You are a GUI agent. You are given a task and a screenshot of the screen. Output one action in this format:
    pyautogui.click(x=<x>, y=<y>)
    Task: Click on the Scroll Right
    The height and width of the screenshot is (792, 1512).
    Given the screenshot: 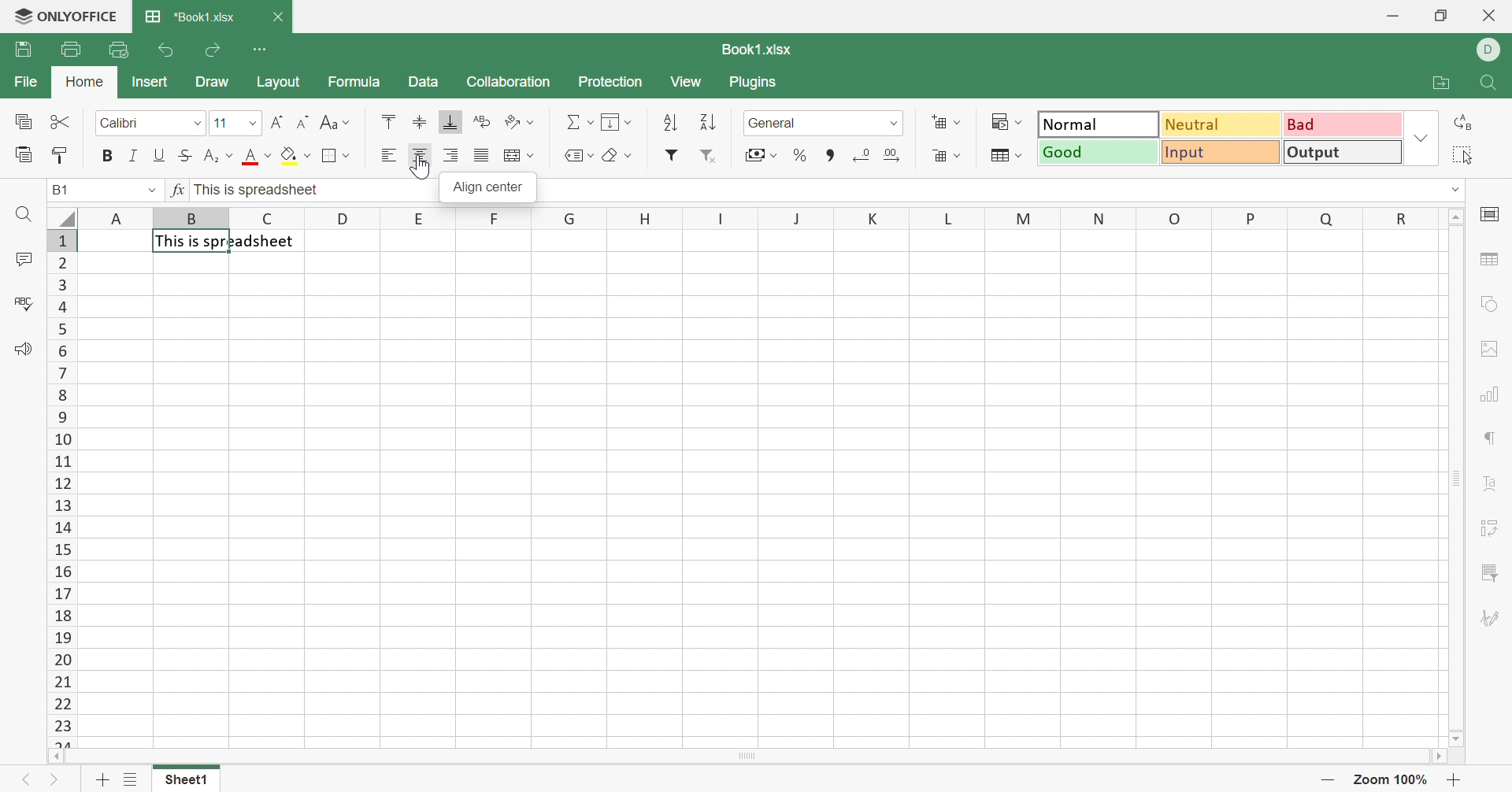 What is the action you would take?
    pyautogui.click(x=1440, y=756)
    